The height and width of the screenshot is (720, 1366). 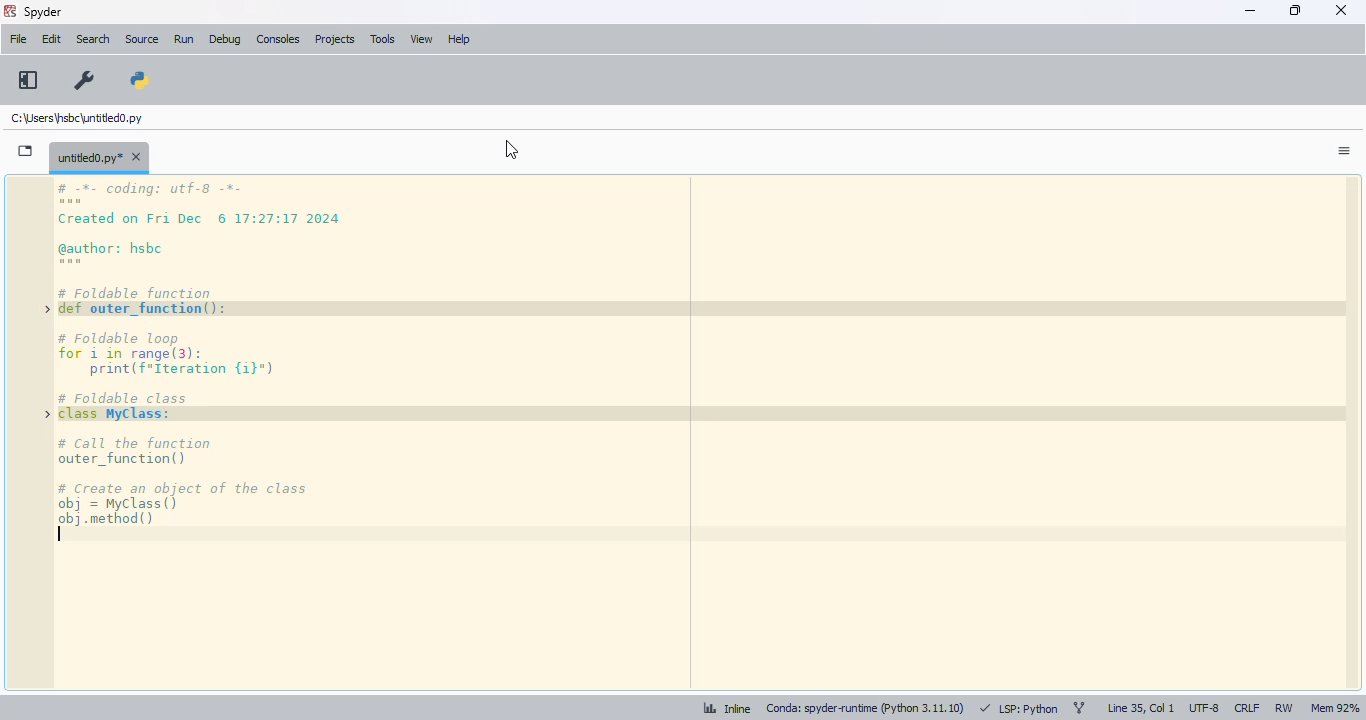 What do you see at coordinates (93, 39) in the screenshot?
I see `search` at bounding box center [93, 39].